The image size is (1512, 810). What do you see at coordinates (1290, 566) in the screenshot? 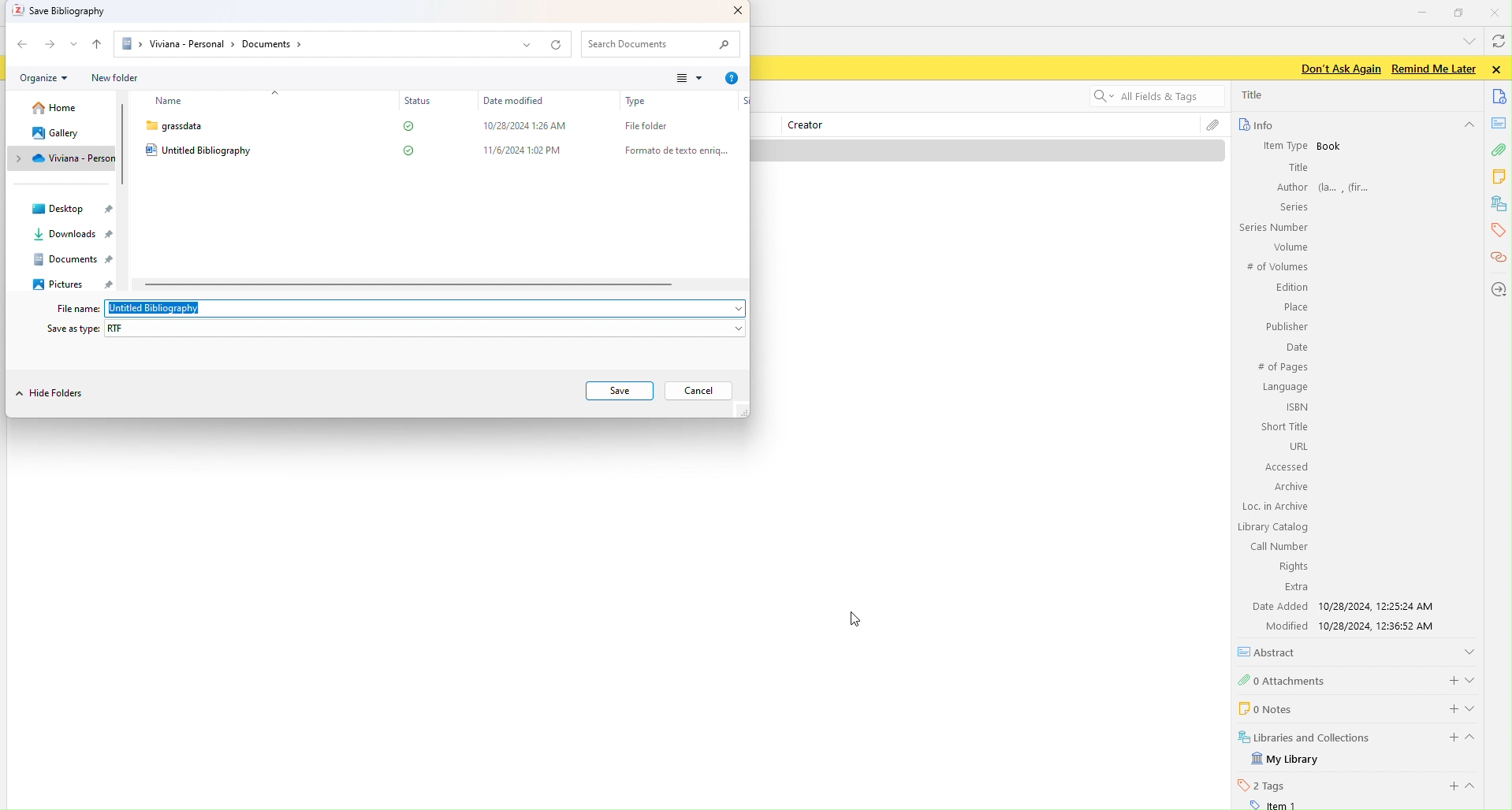
I see `Rights` at bounding box center [1290, 566].